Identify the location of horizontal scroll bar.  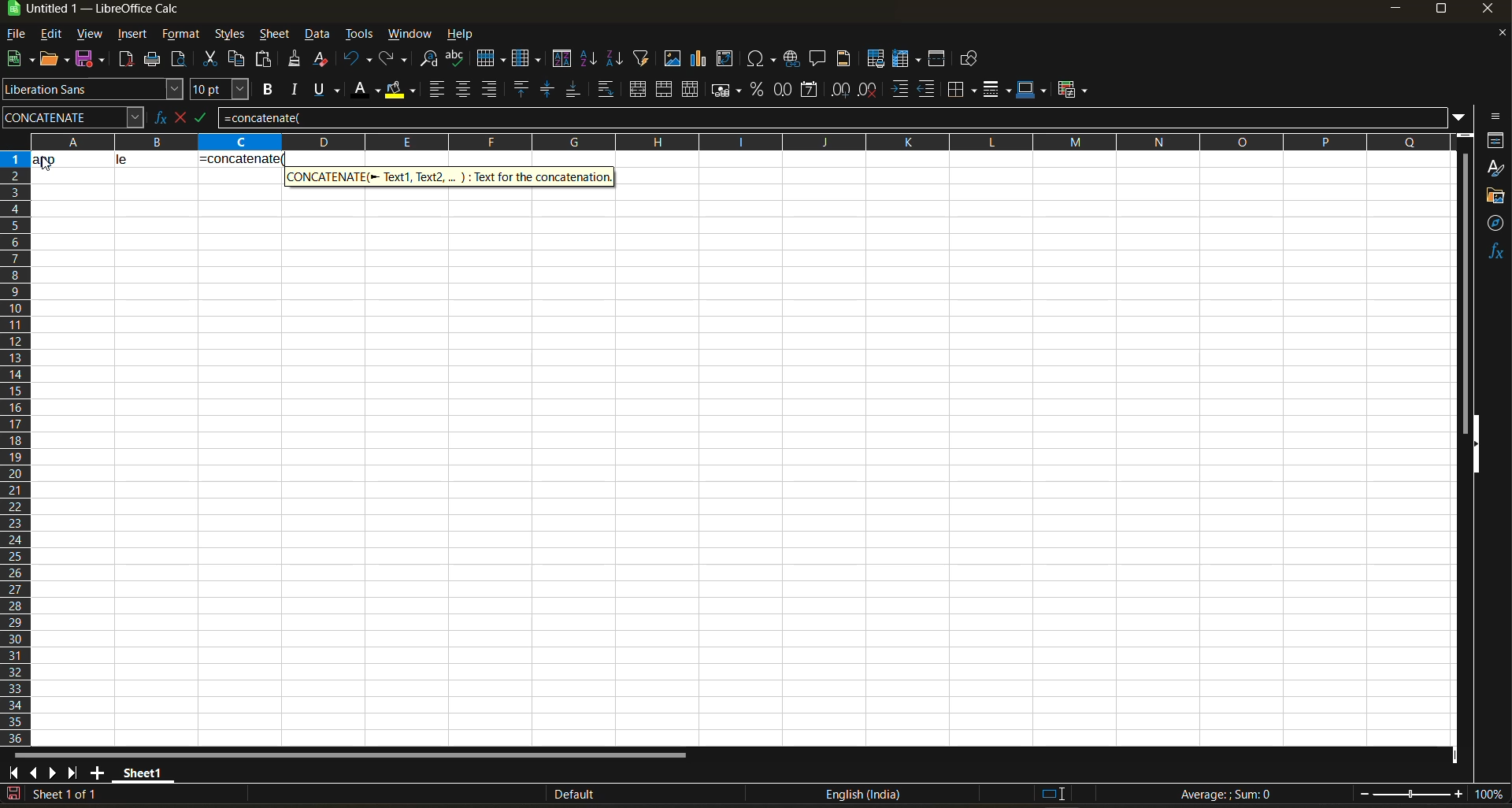
(350, 753).